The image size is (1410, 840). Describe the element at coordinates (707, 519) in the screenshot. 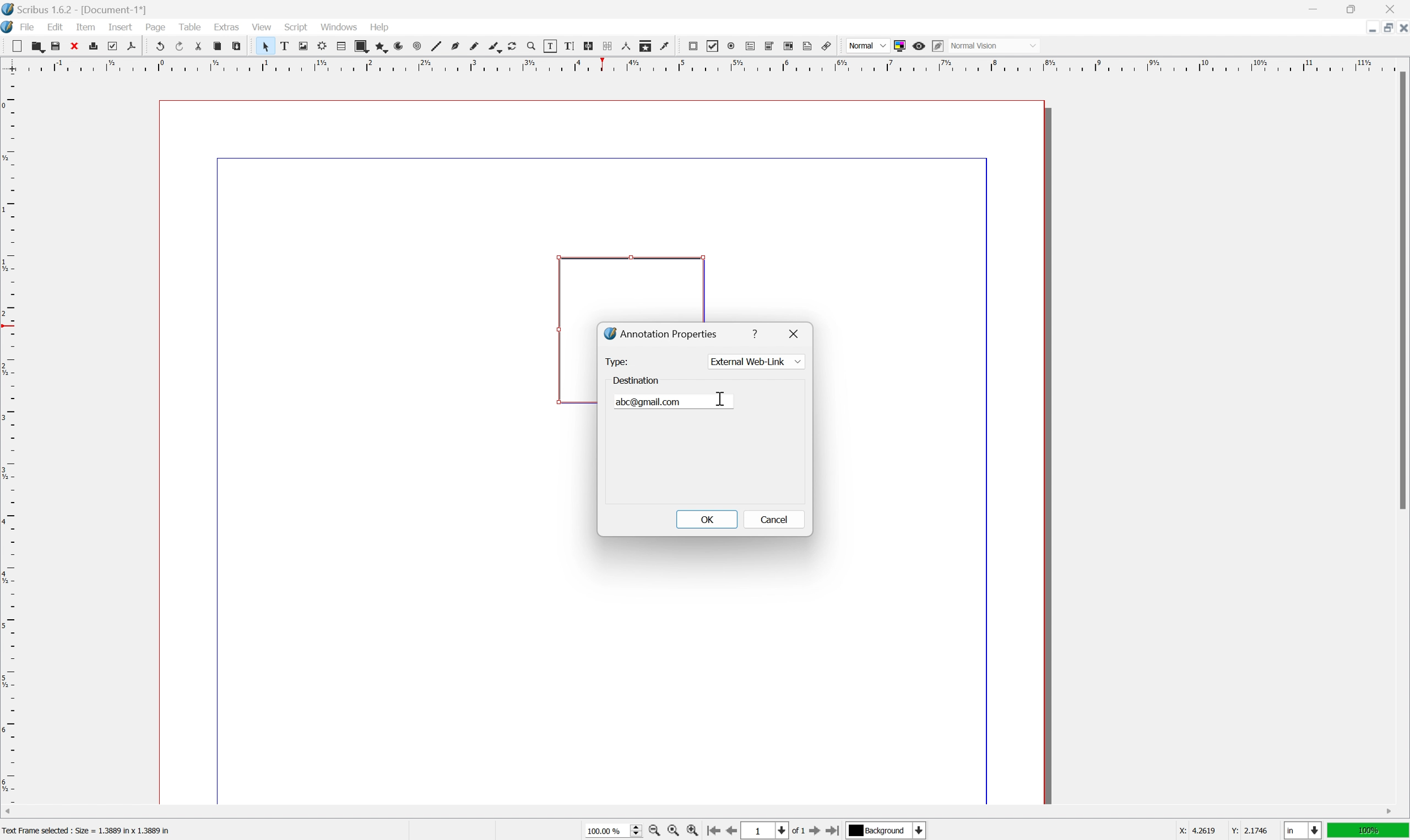

I see `OK` at that location.